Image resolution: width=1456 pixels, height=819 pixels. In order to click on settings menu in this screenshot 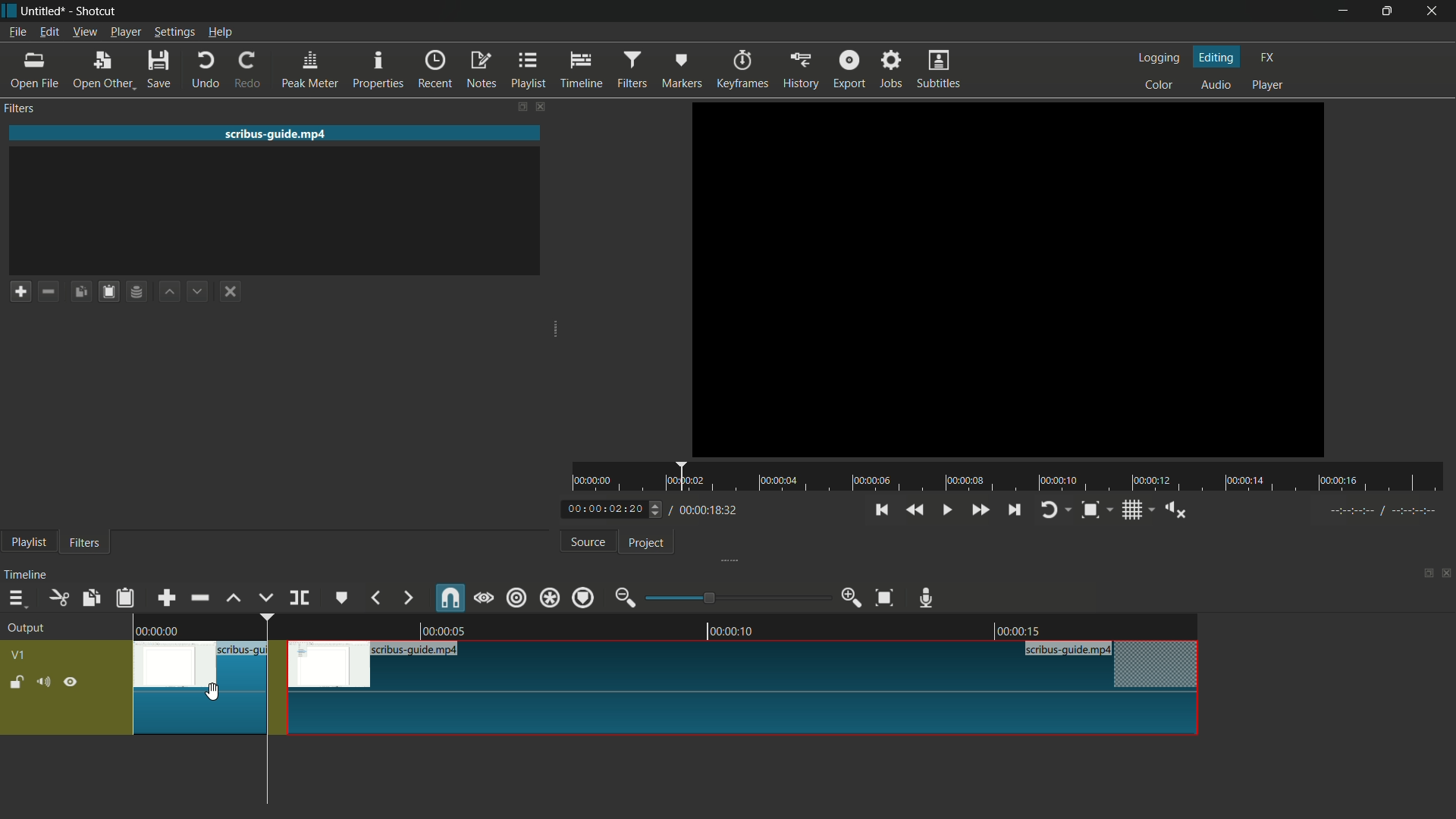, I will do `click(172, 32)`.